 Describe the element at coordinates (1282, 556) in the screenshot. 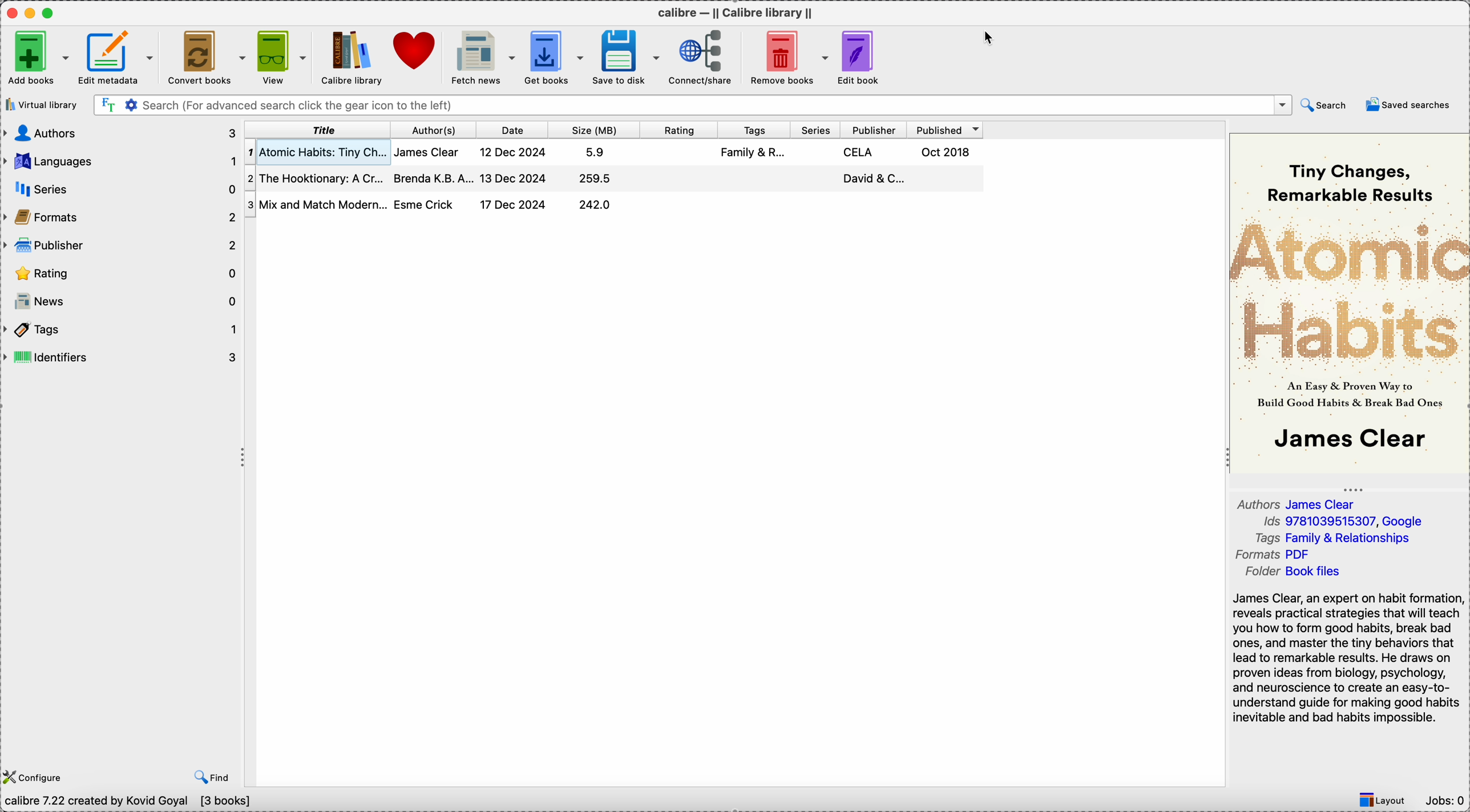

I see `Formats PDF` at that location.